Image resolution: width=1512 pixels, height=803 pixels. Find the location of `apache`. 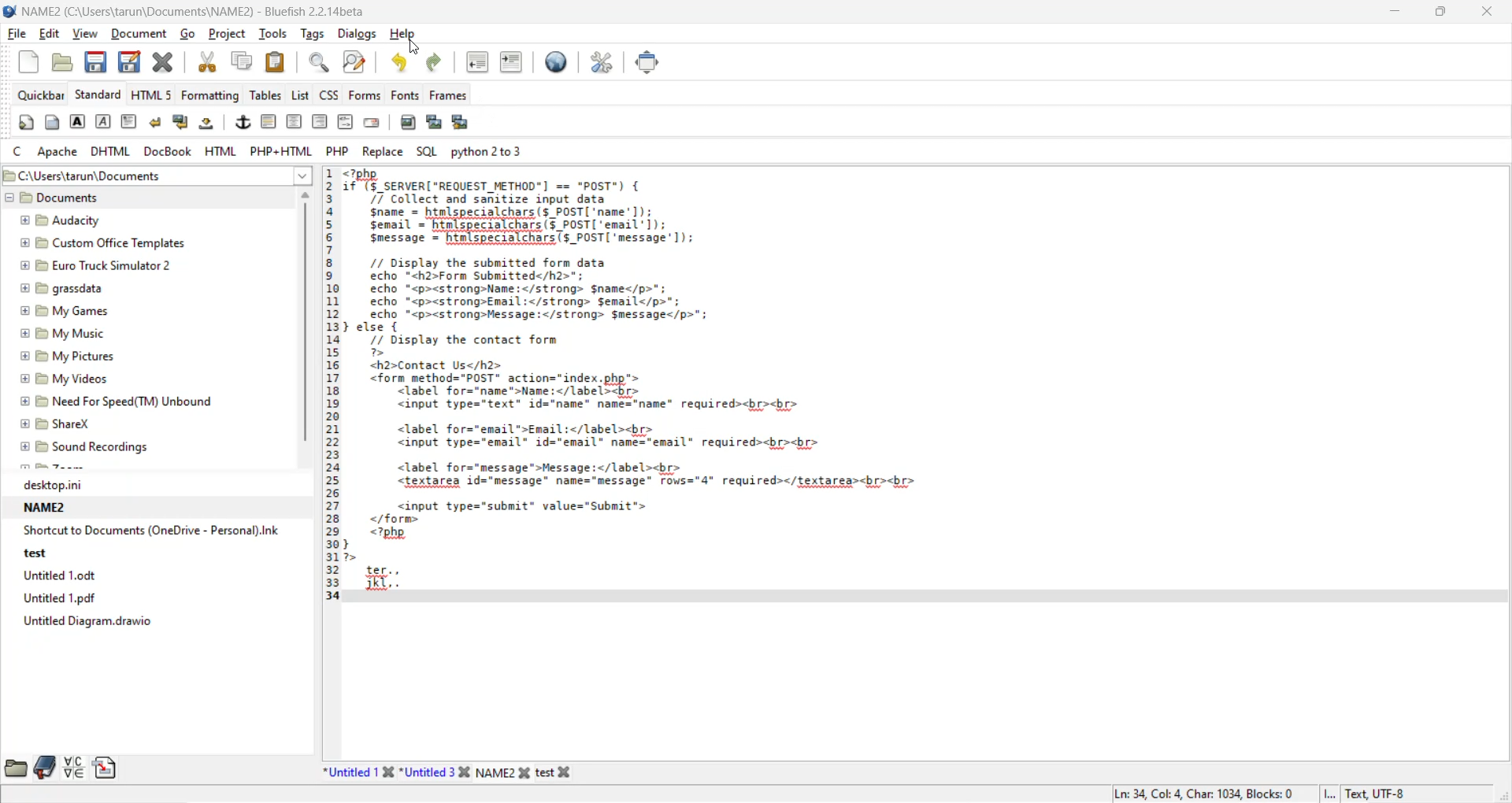

apache is located at coordinates (57, 150).